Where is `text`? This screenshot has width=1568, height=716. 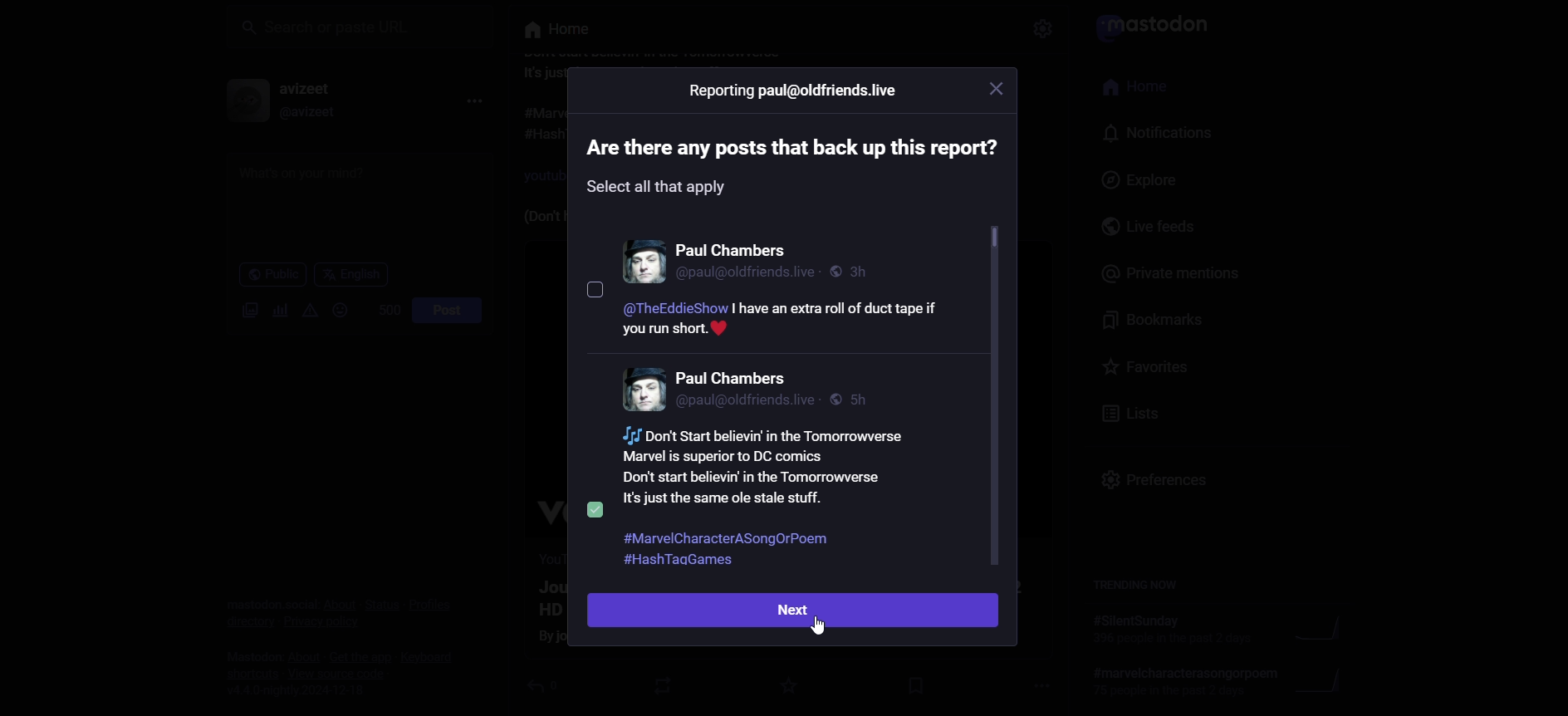
text is located at coordinates (789, 169).